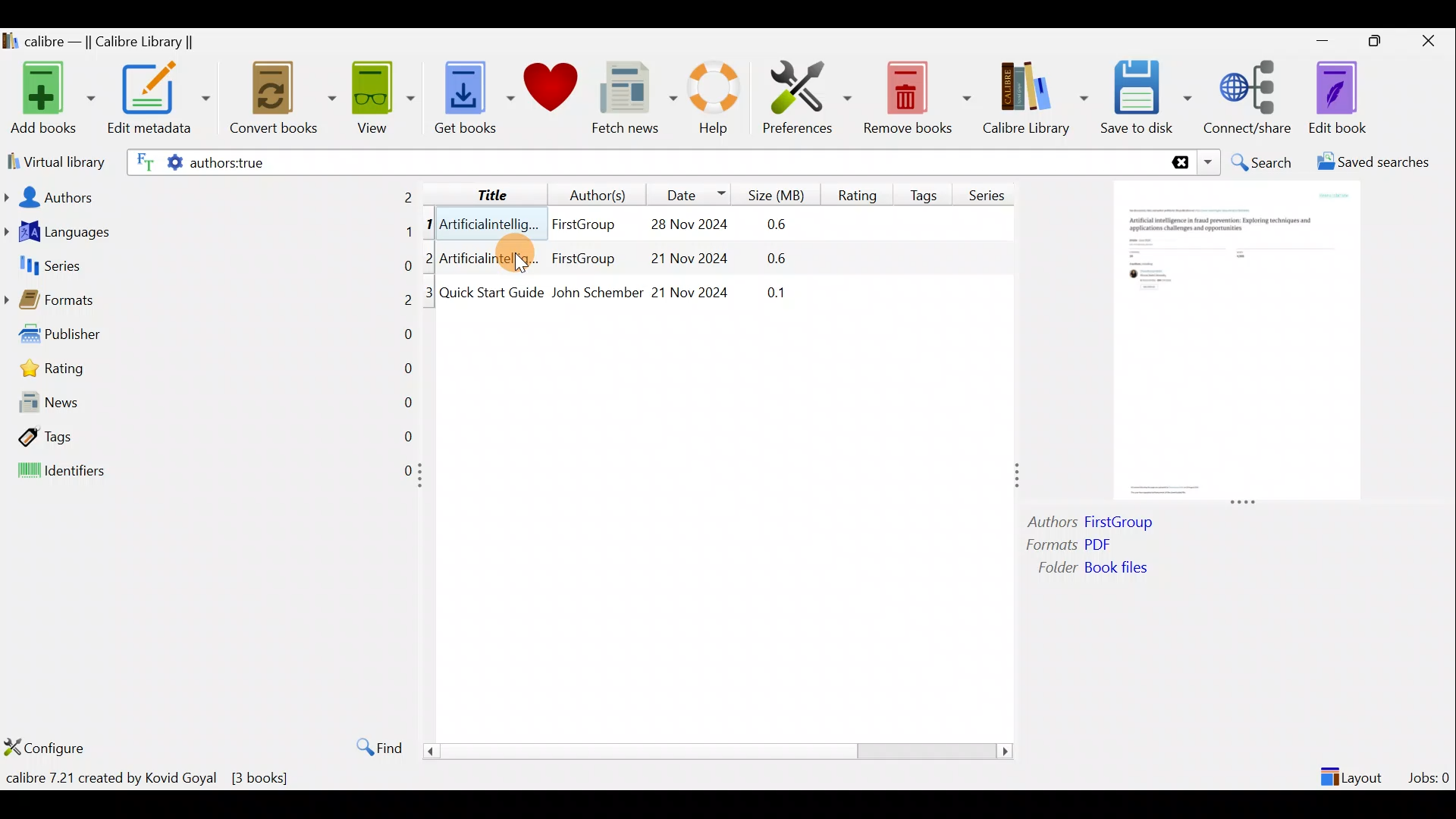  I want to click on Formats: PDF, so click(1090, 547).